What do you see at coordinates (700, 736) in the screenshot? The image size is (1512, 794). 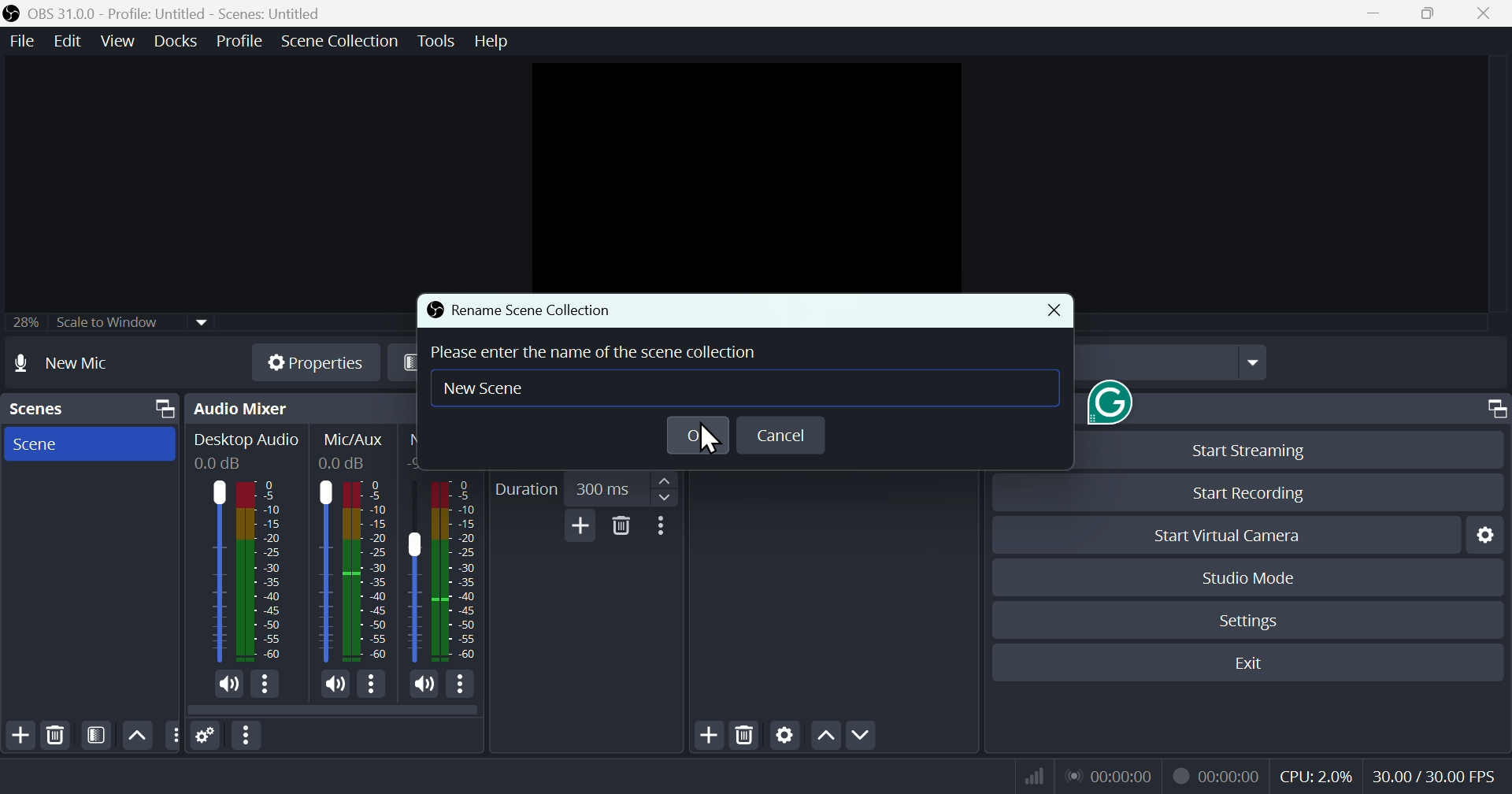 I see `Add` at bounding box center [700, 736].